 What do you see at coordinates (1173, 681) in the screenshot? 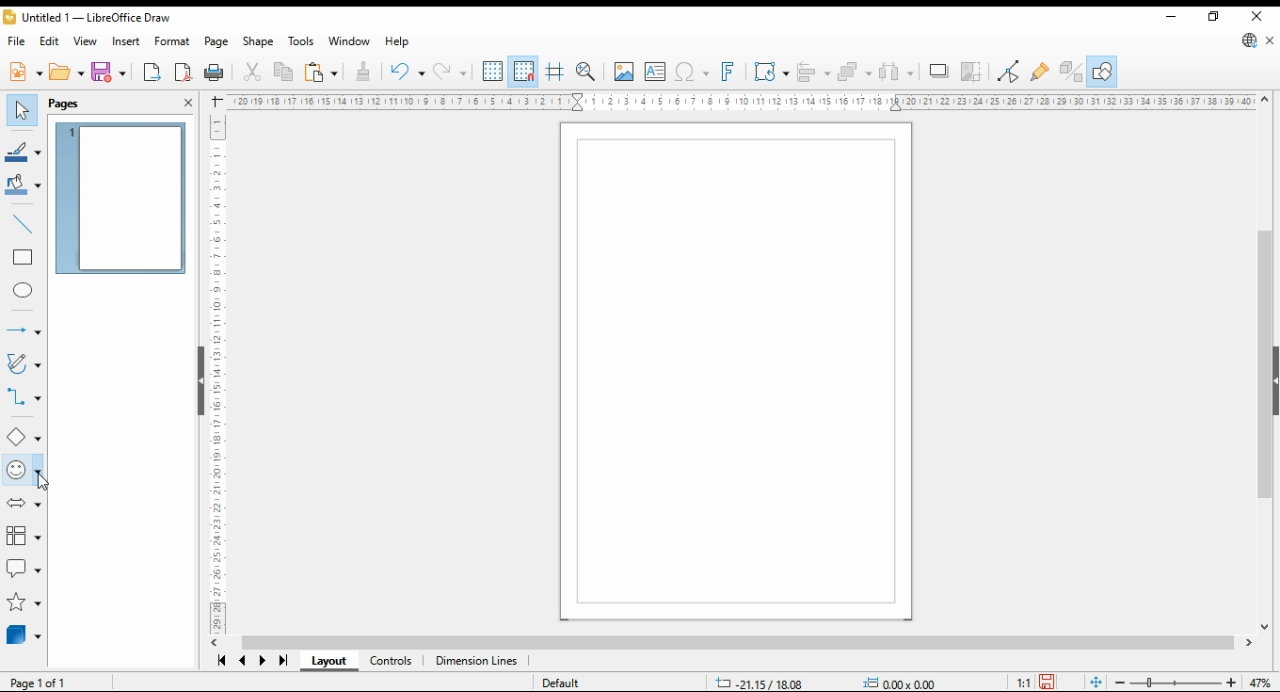
I see `zoom slider` at bounding box center [1173, 681].